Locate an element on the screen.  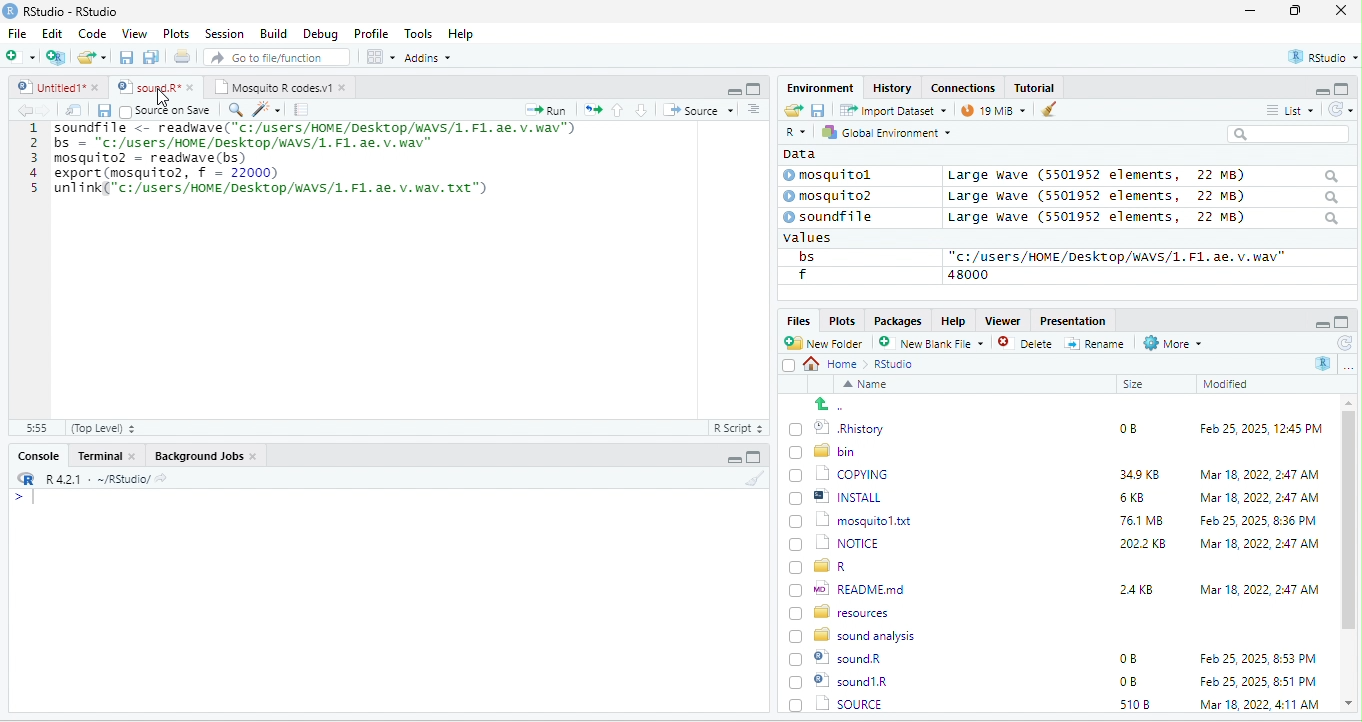
Packages is located at coordinates (901, 320).